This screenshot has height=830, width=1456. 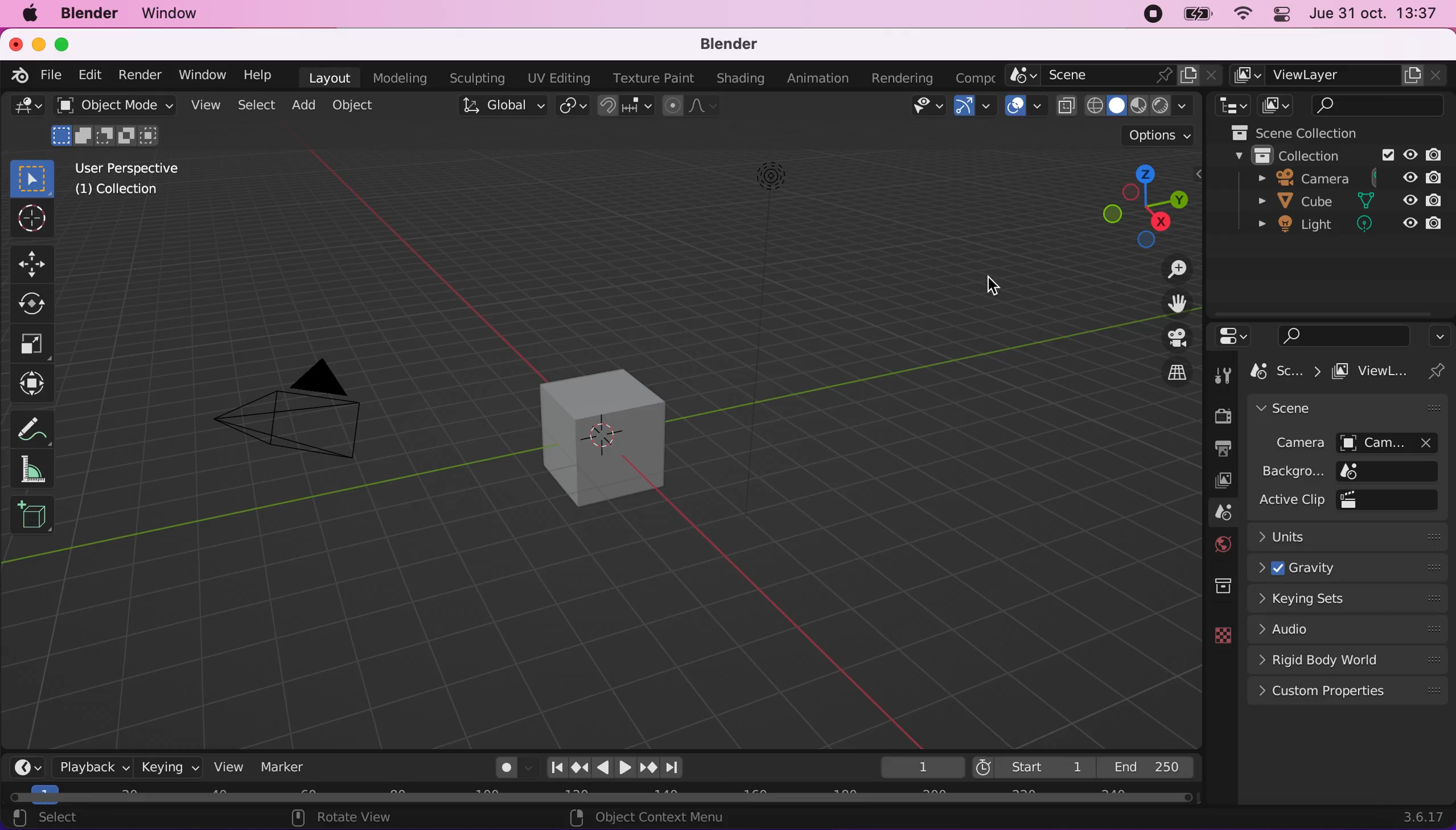 What do you see at coordinates (737, 77) in the screenshot?
I see `shading` at bounding box center [737, 77].